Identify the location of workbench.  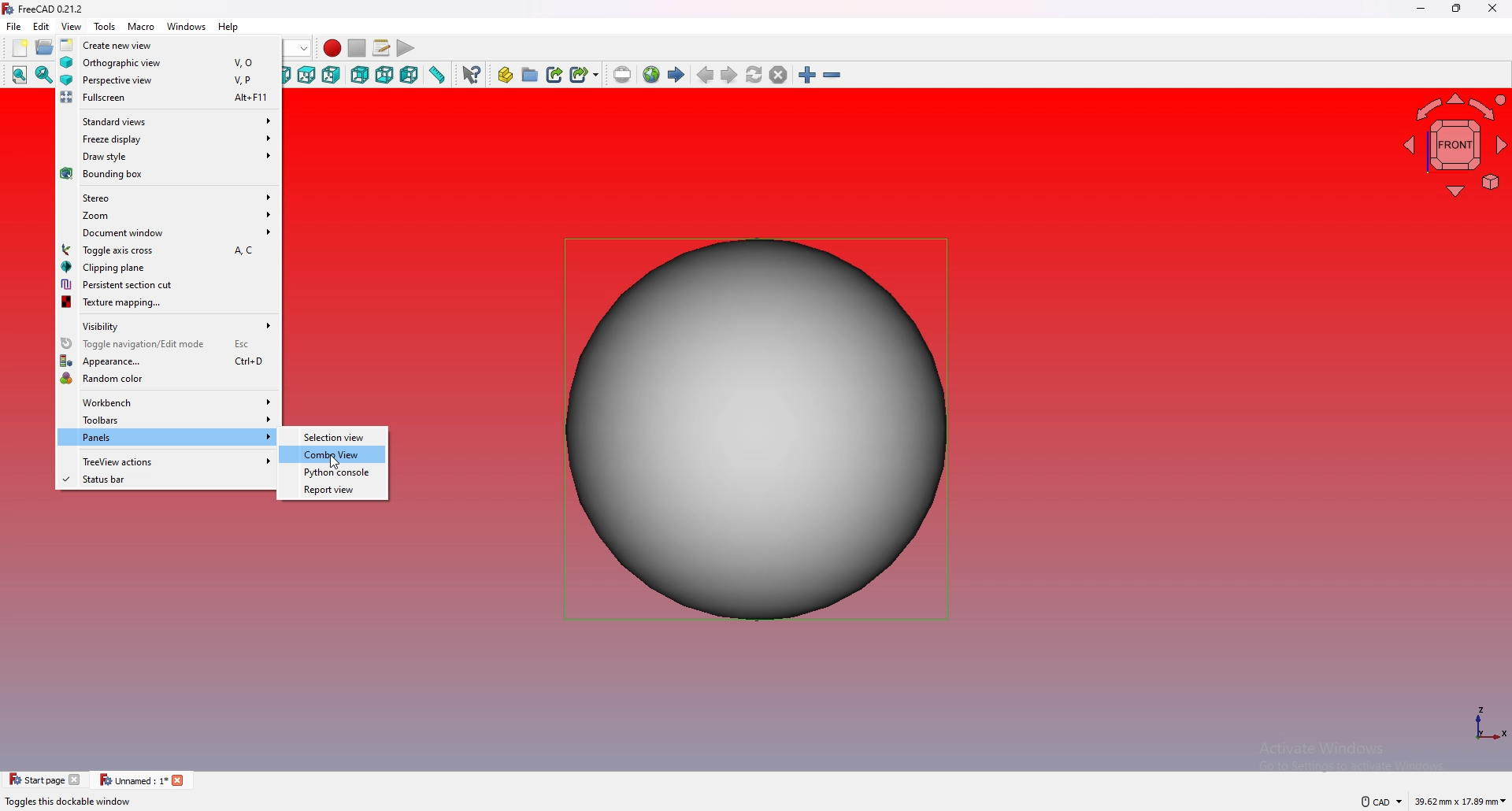
(169, 402).